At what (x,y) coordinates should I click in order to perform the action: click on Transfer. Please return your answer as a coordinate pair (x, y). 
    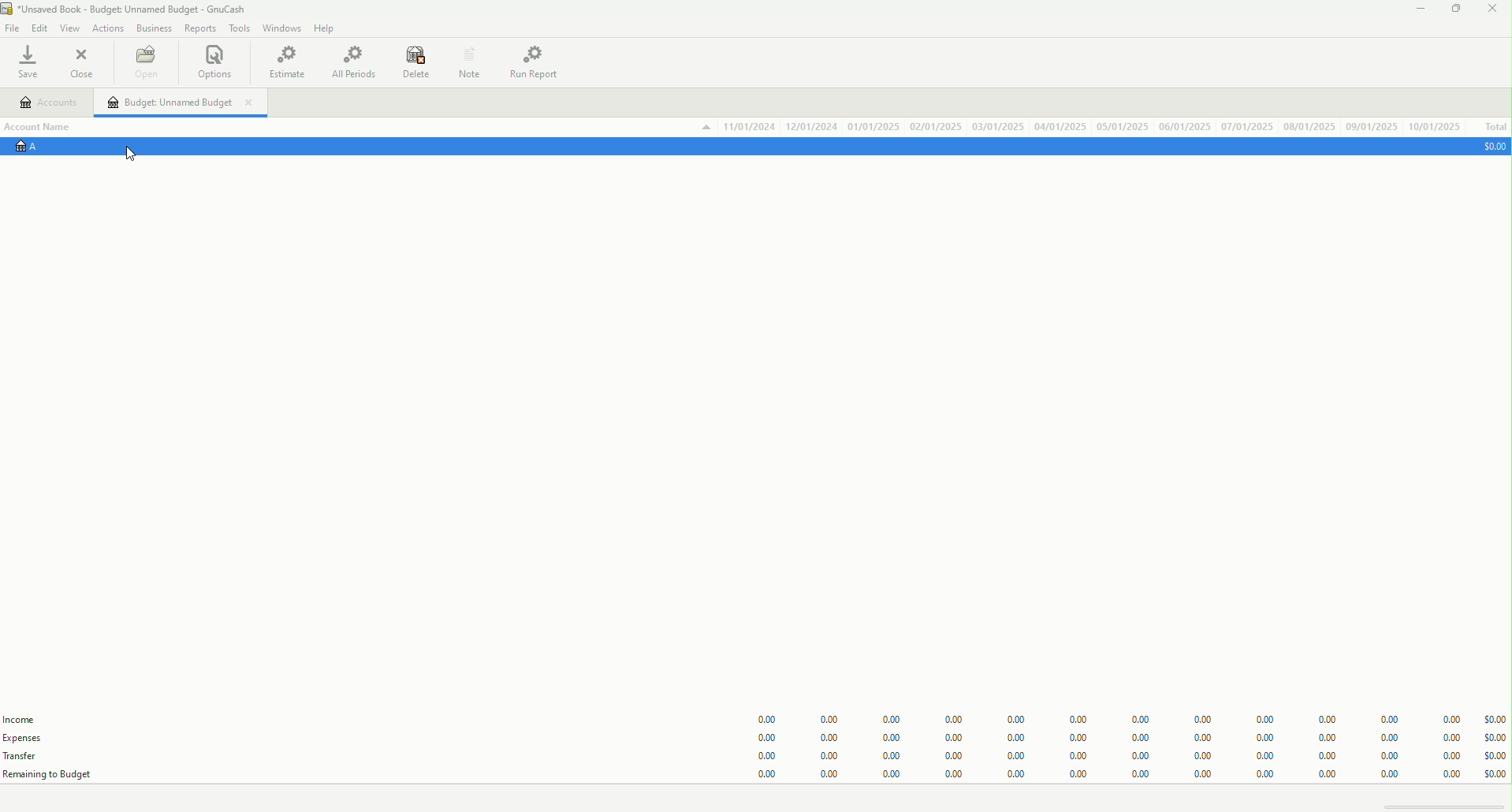
    Looking at the image, I should click on (24, 754).